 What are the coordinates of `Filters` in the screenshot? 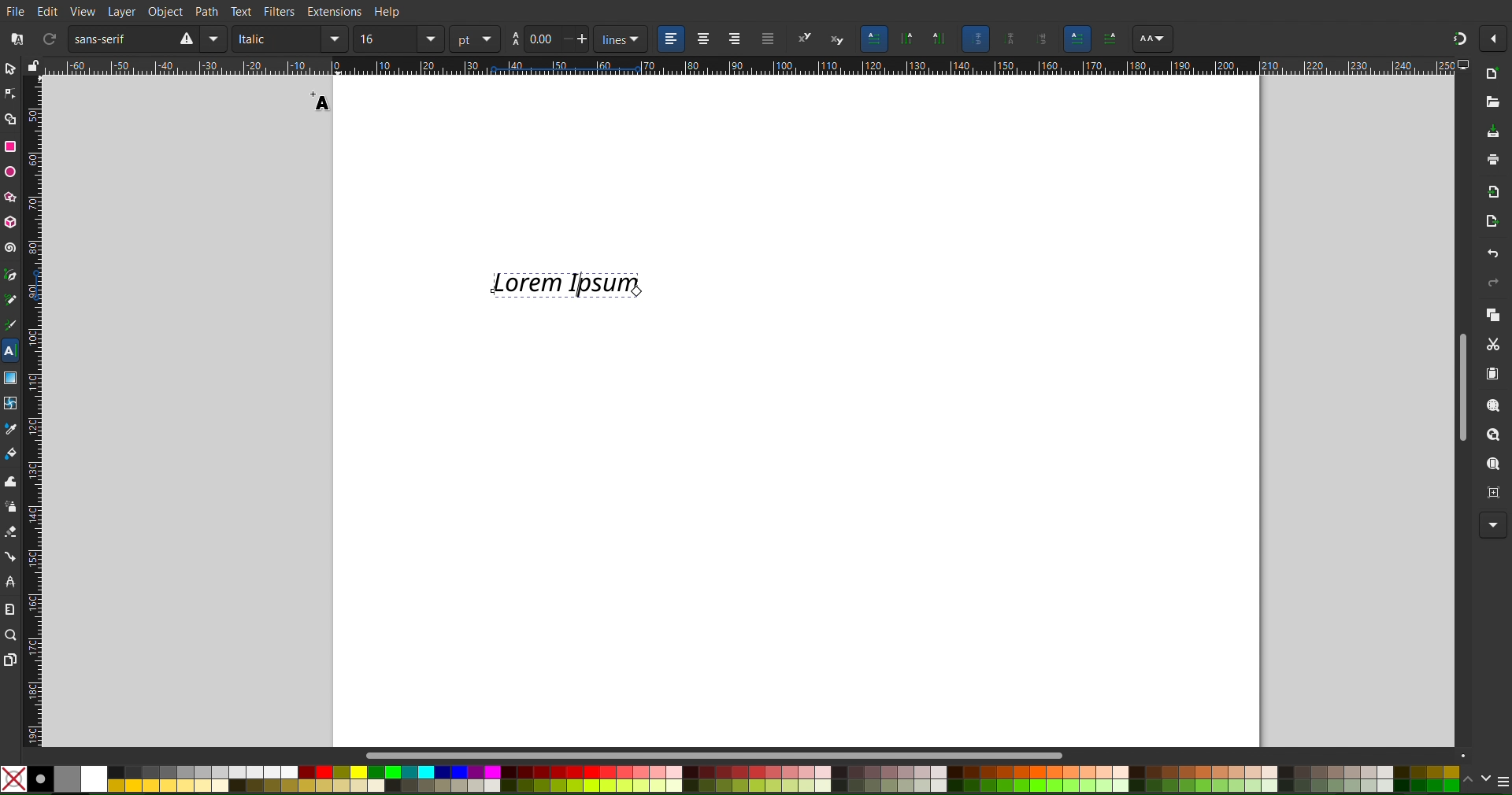 It's located at (282, 10).